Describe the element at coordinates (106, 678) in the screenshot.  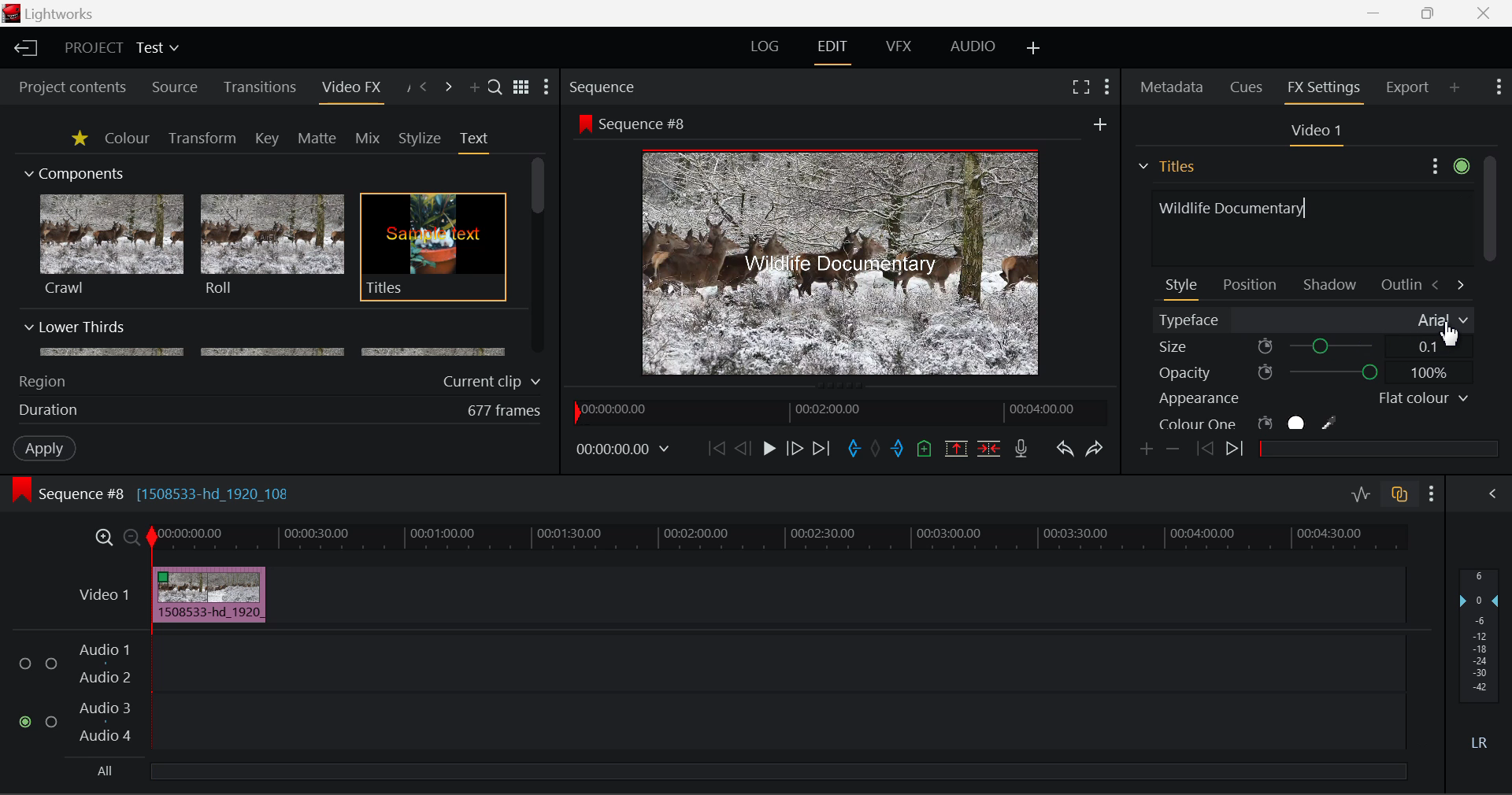
I see `Audio 2` at that location.